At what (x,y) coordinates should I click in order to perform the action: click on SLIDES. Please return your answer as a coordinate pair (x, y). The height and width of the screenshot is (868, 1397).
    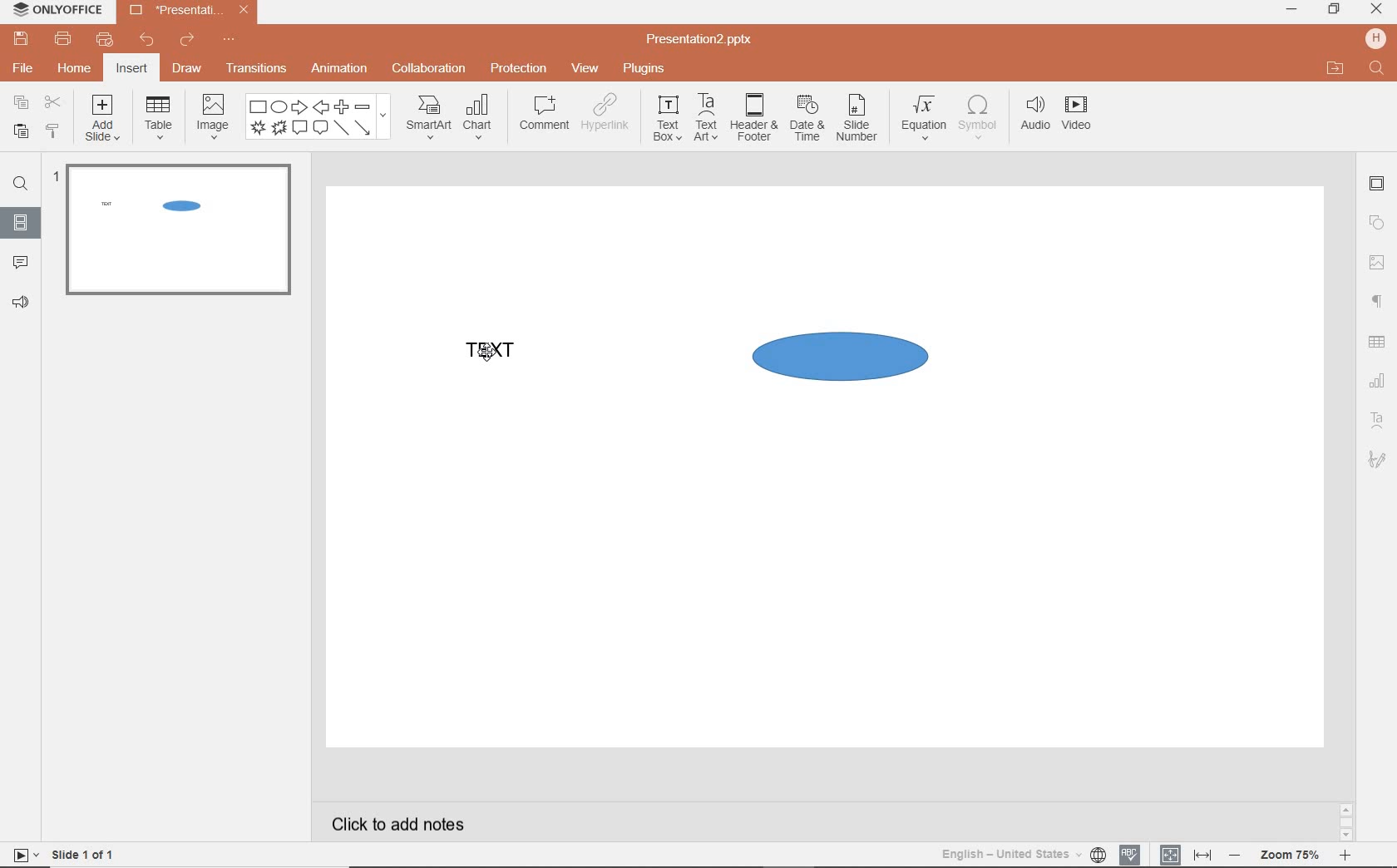
    Looking at the image, I should click on (22, 221).